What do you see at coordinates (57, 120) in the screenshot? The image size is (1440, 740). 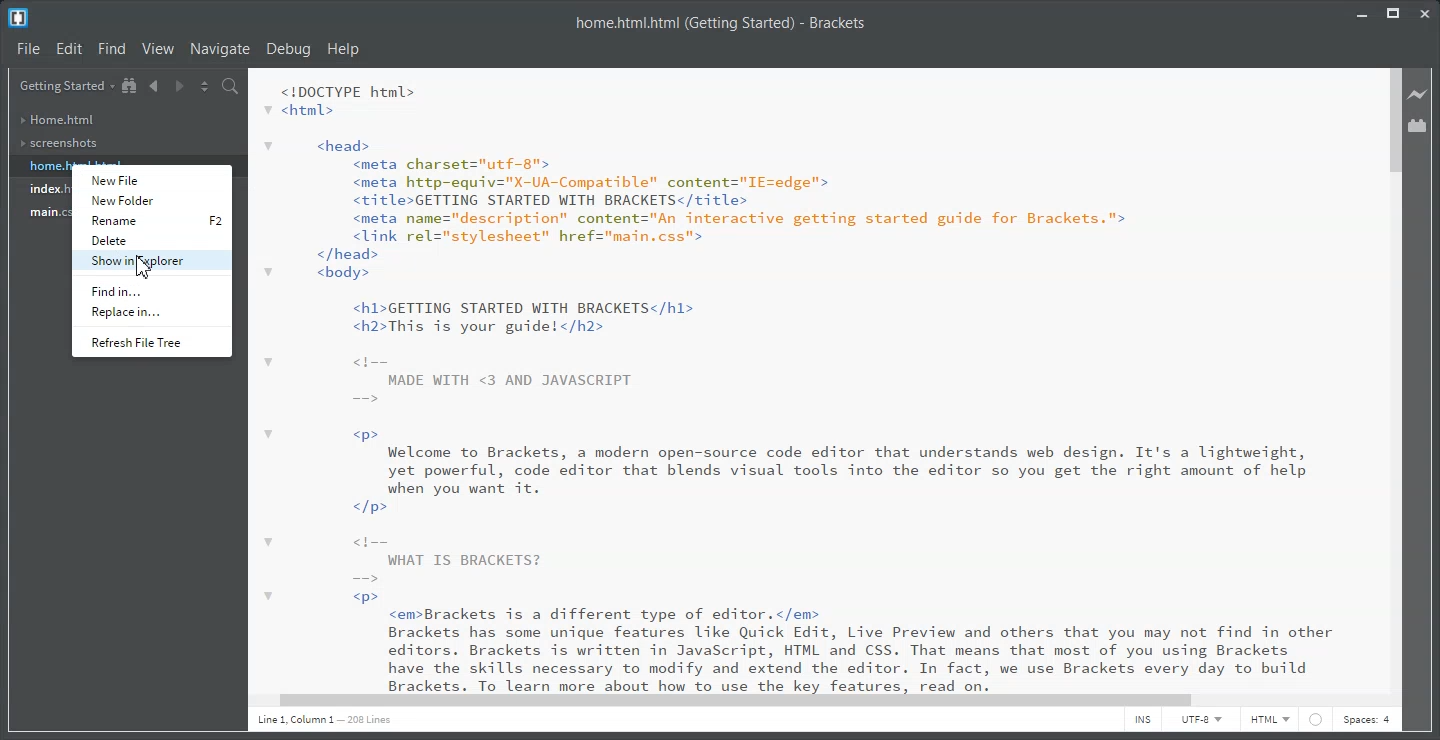 I see `Home.html` at bounding box center [57, 120].